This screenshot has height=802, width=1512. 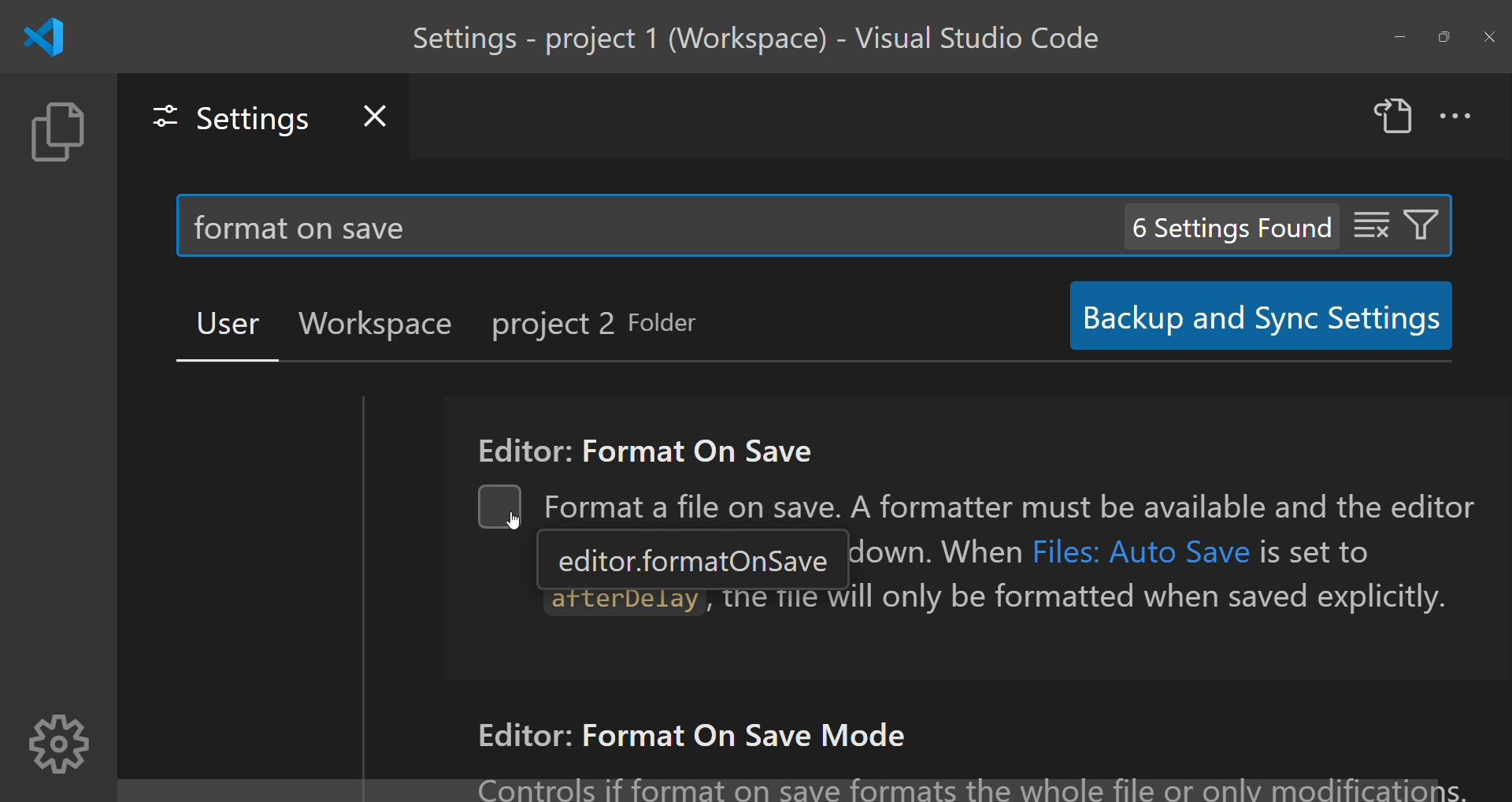 I want to click on open settings, so click(x=1392, y=118).